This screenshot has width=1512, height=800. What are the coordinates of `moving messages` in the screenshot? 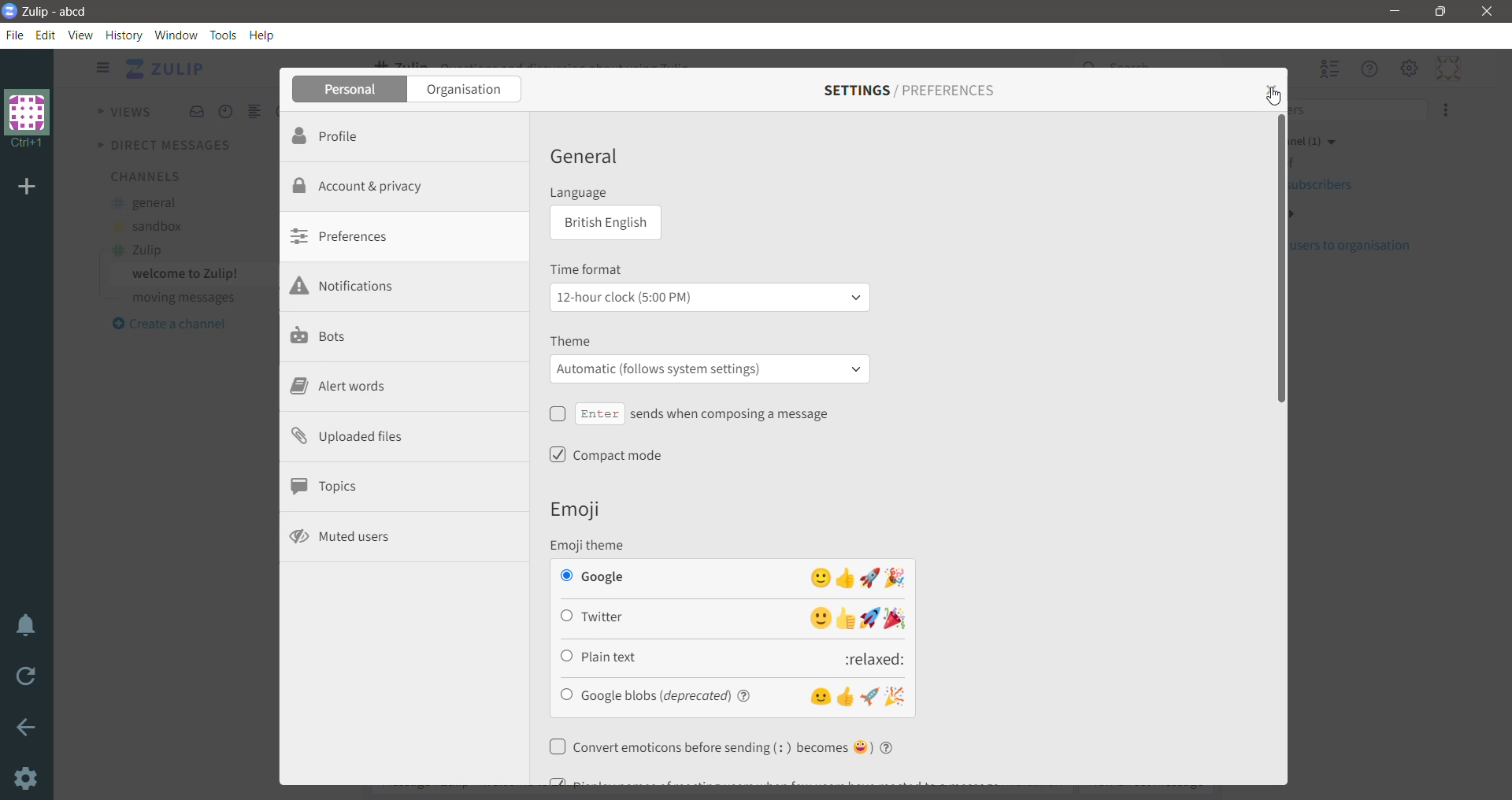 It's located at (183, 298).